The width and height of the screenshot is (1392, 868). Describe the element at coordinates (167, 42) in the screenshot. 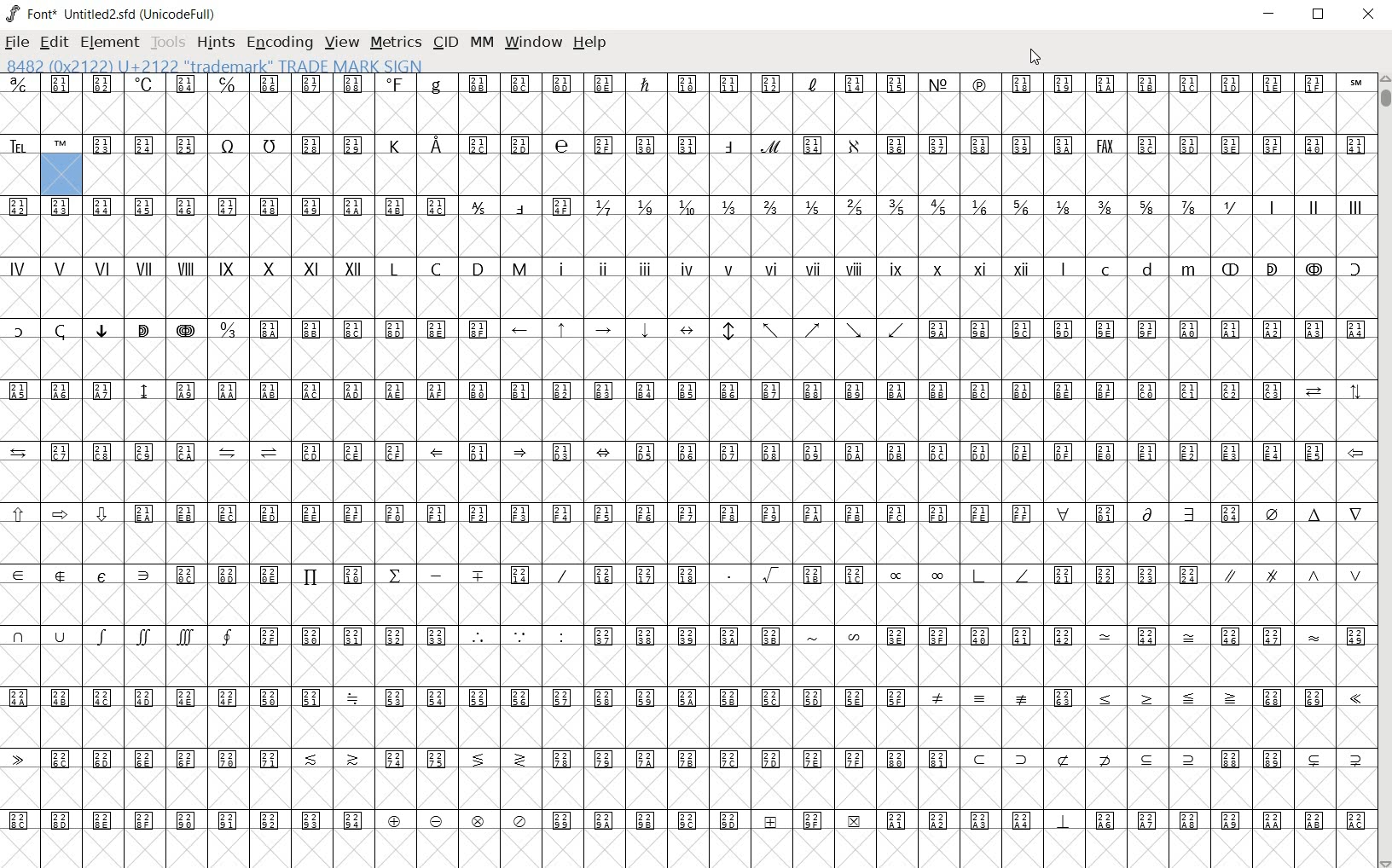

I see `TOOLS` at that location.